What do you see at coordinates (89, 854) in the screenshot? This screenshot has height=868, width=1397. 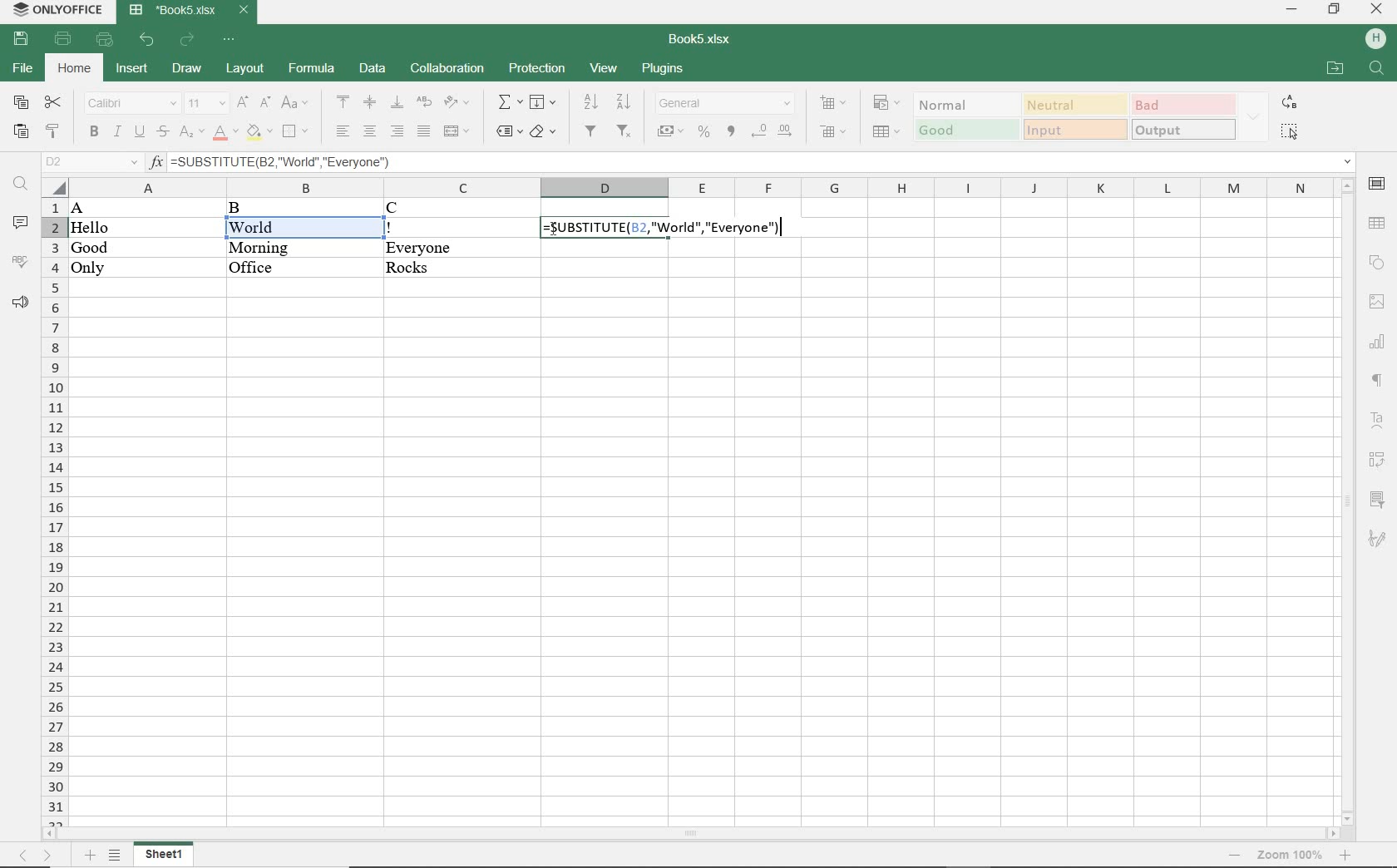 I see `add sheet` at bounding box center [89, 854].